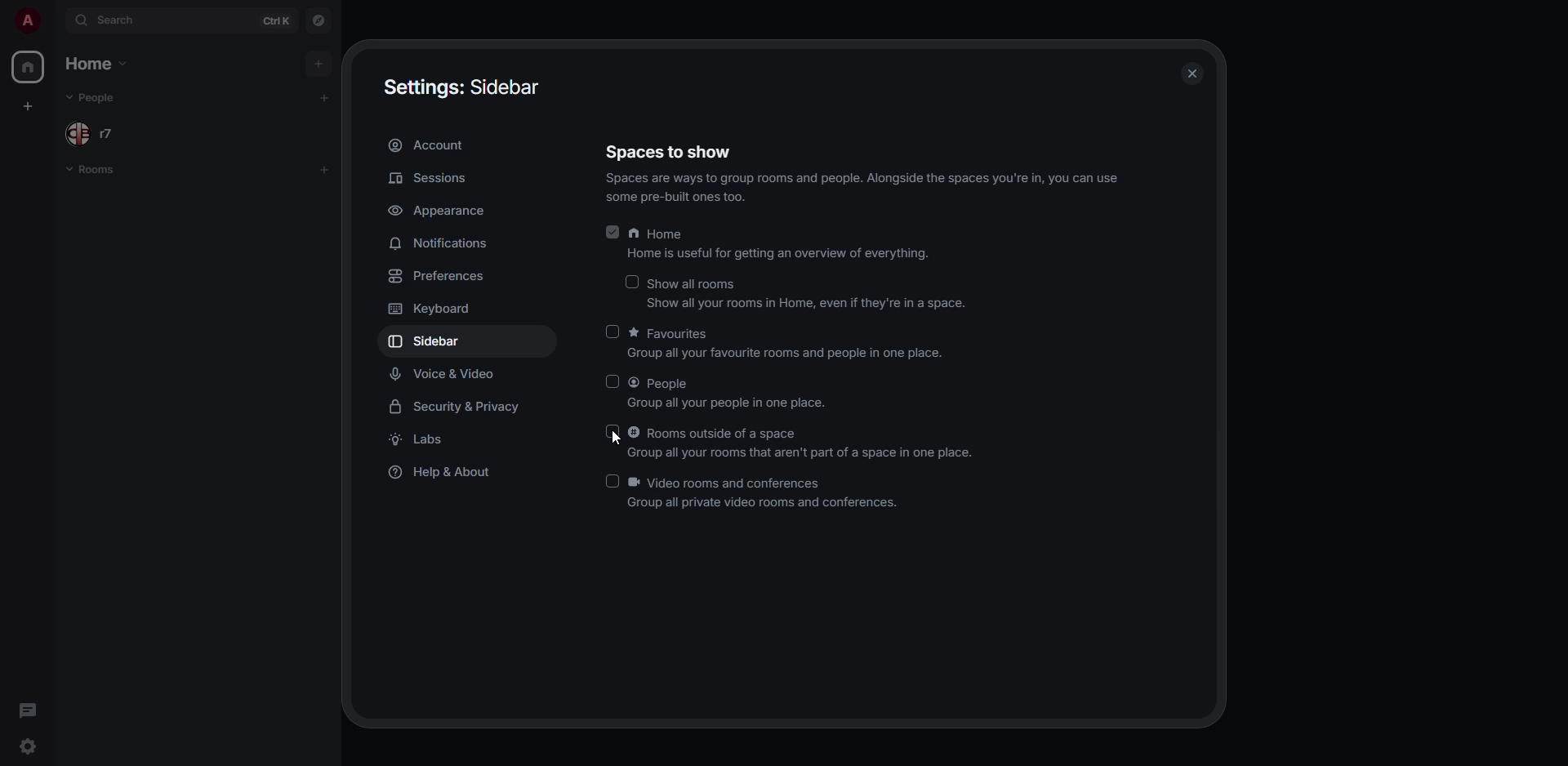 The height and width of the screenshot is (766, 1568). I want to click on keyboard, so click(436, 309).